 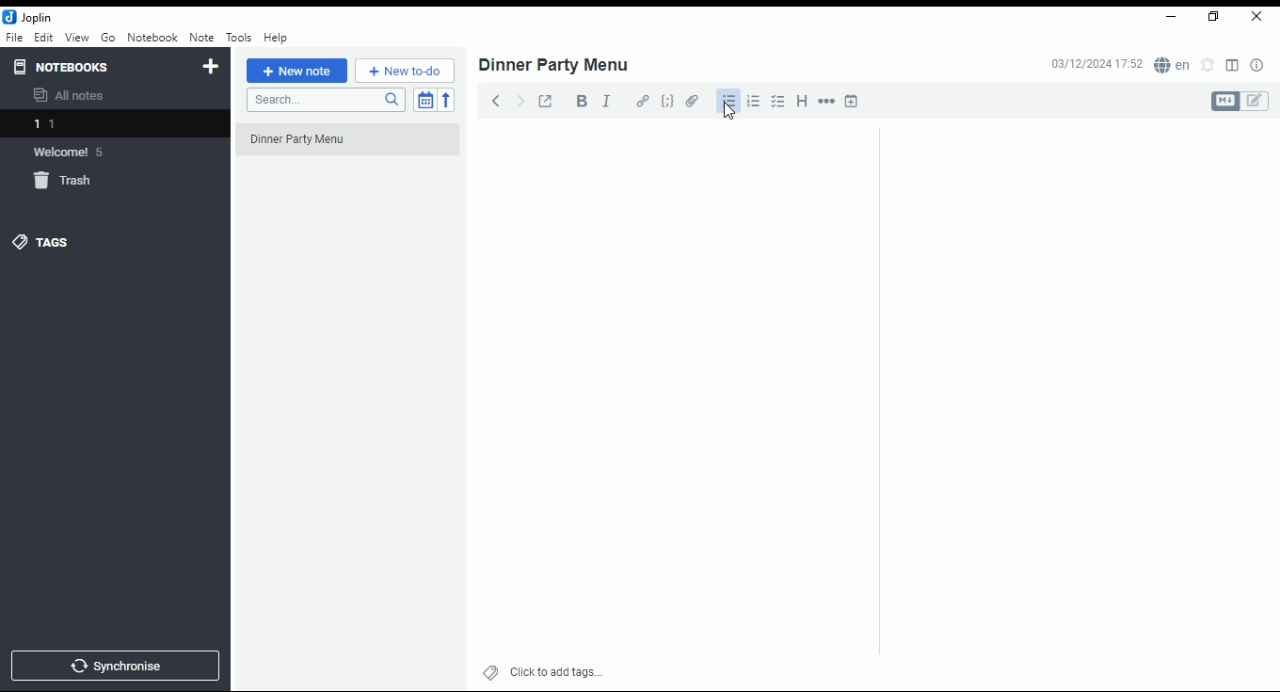 What do you see at coordinates (555, 65) in the screenshot?
I see `dinner party menu` at bounding box center [555, 65].